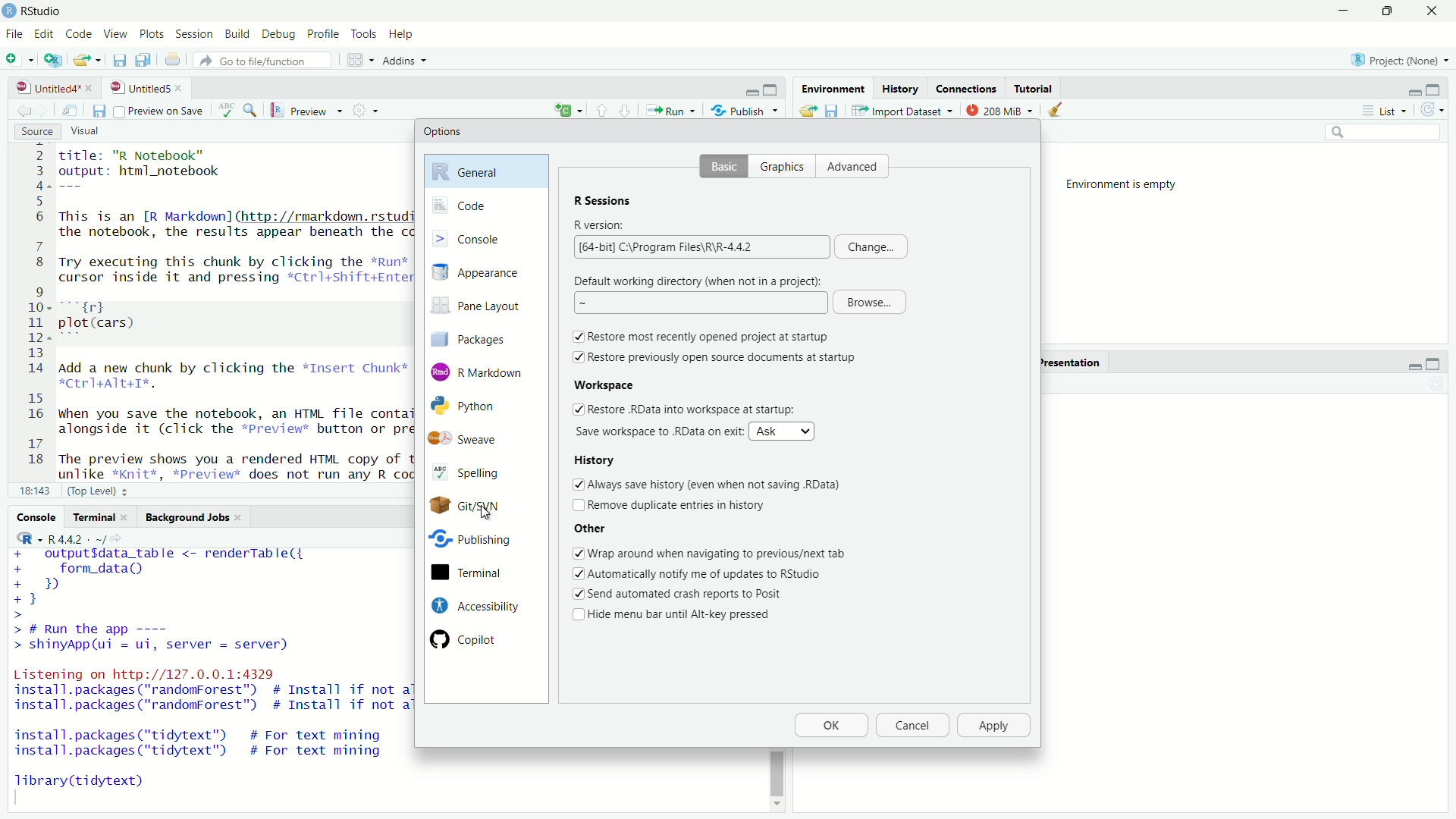 Image resolution: width=1456 pixels, height=819 pixels. Describe the element at coordinates (576, 356) in the screenshot. I see `check box` at that location.